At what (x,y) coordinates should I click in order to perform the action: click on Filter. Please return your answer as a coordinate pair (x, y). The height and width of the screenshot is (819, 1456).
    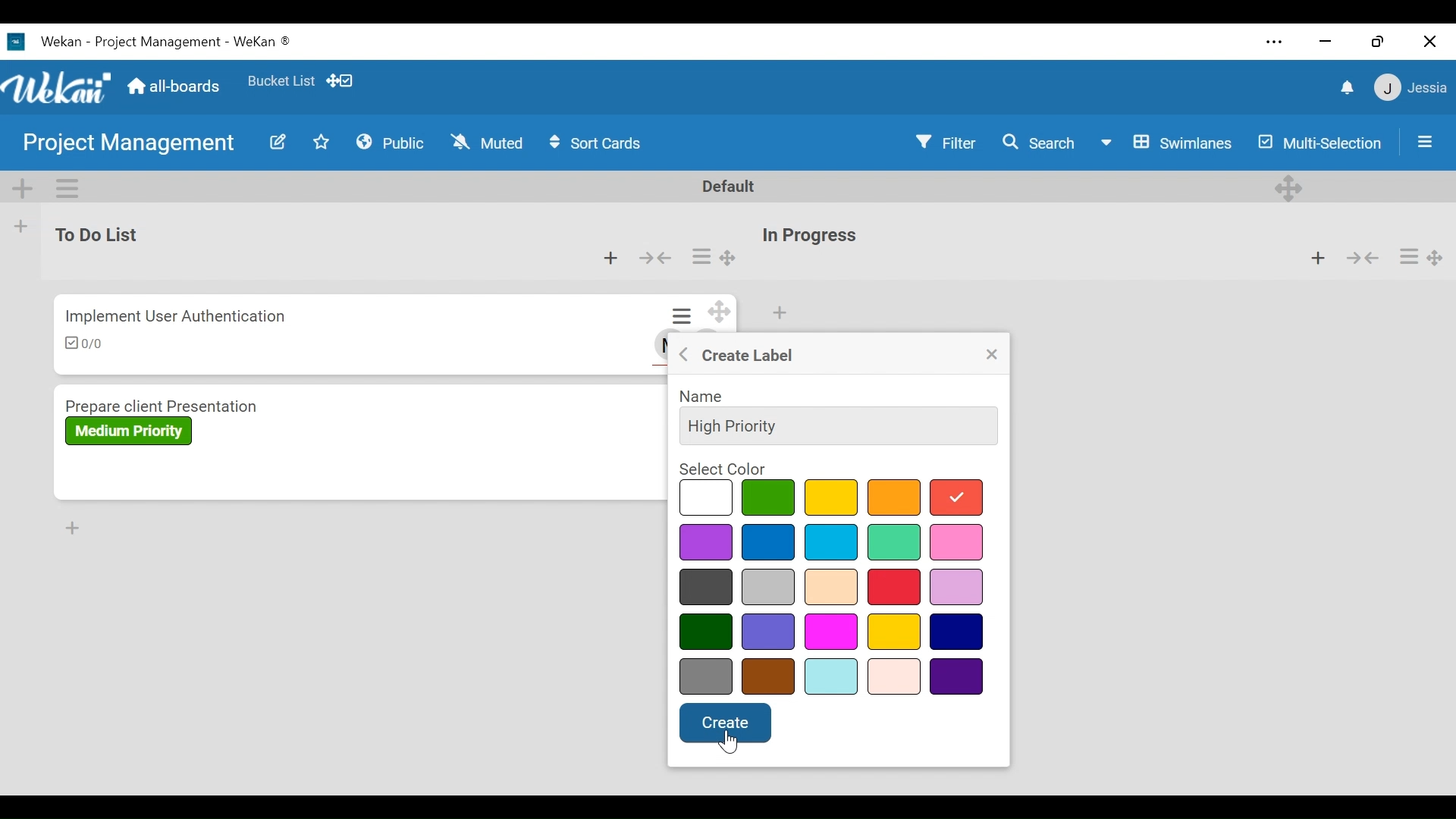
    Looking at the image, I should click on (948, 142).